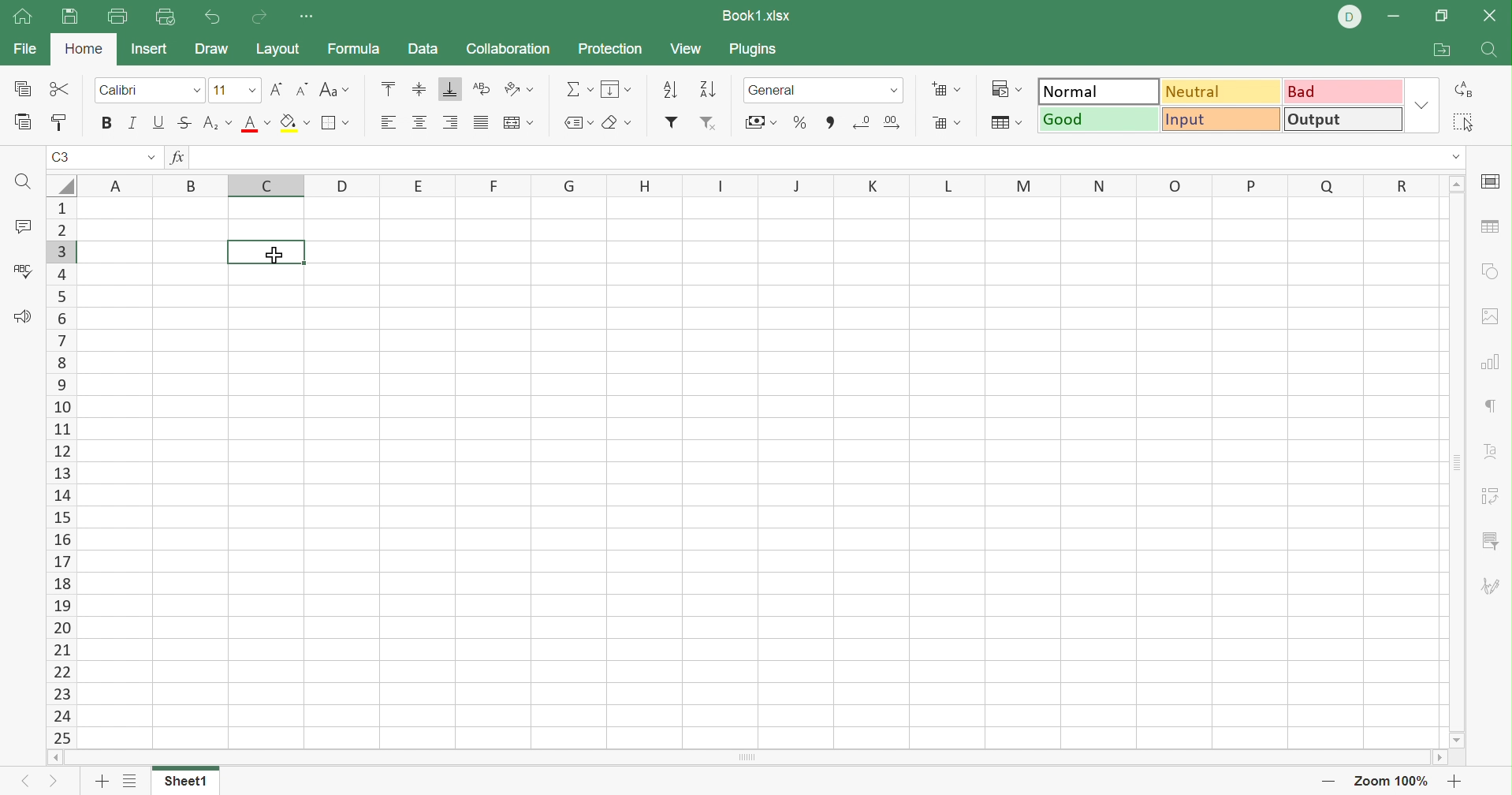  Describe the element at coordinates (1097, 90) in the screenshot. I see `Normal` at that location.